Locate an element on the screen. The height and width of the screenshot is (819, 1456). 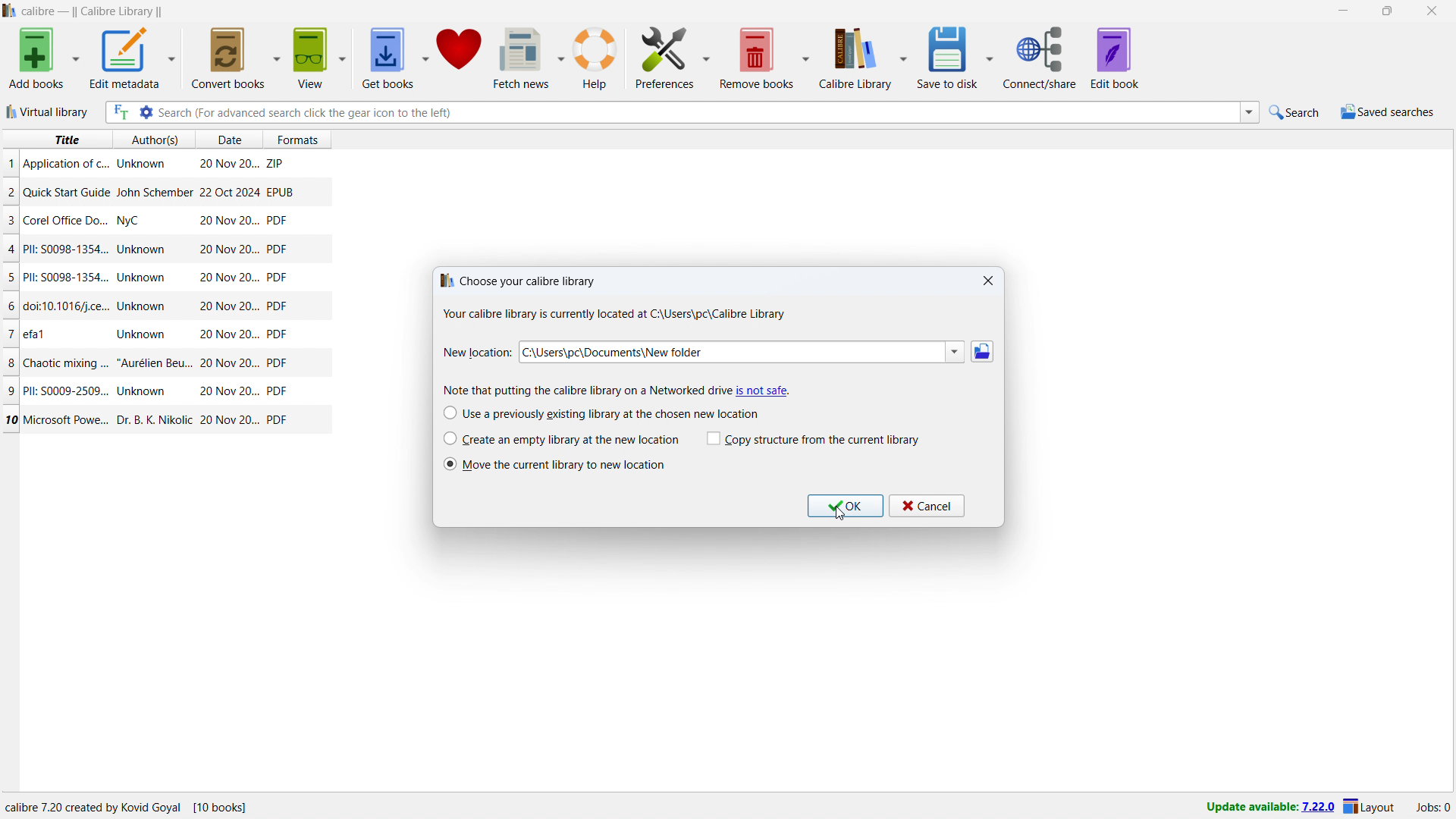
calibre library is located at coordinates (852, 60).